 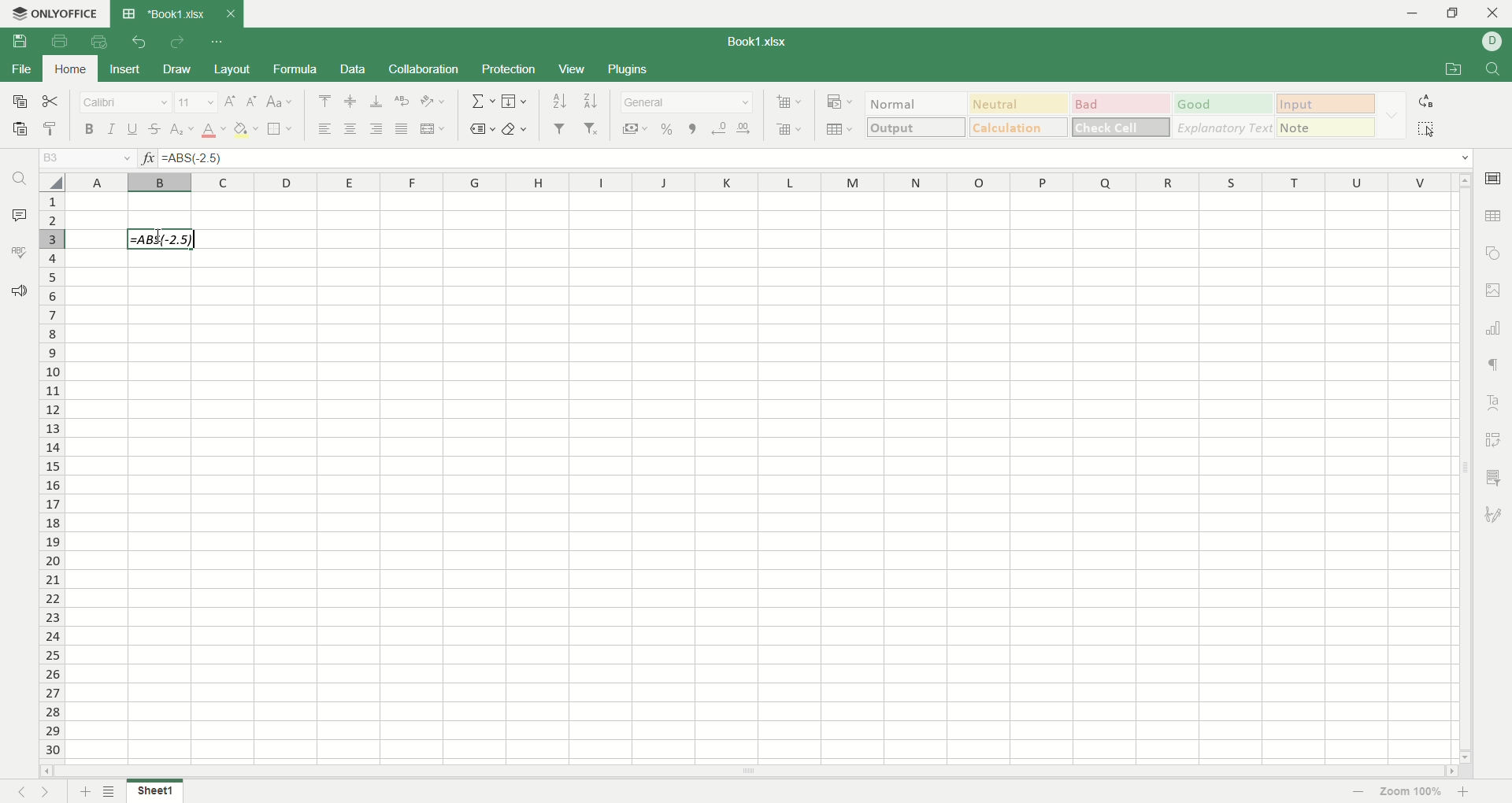 What do you see at coordinates (132, 128) in the screenshot?
I see `underline` at bounding box center [132, 128].